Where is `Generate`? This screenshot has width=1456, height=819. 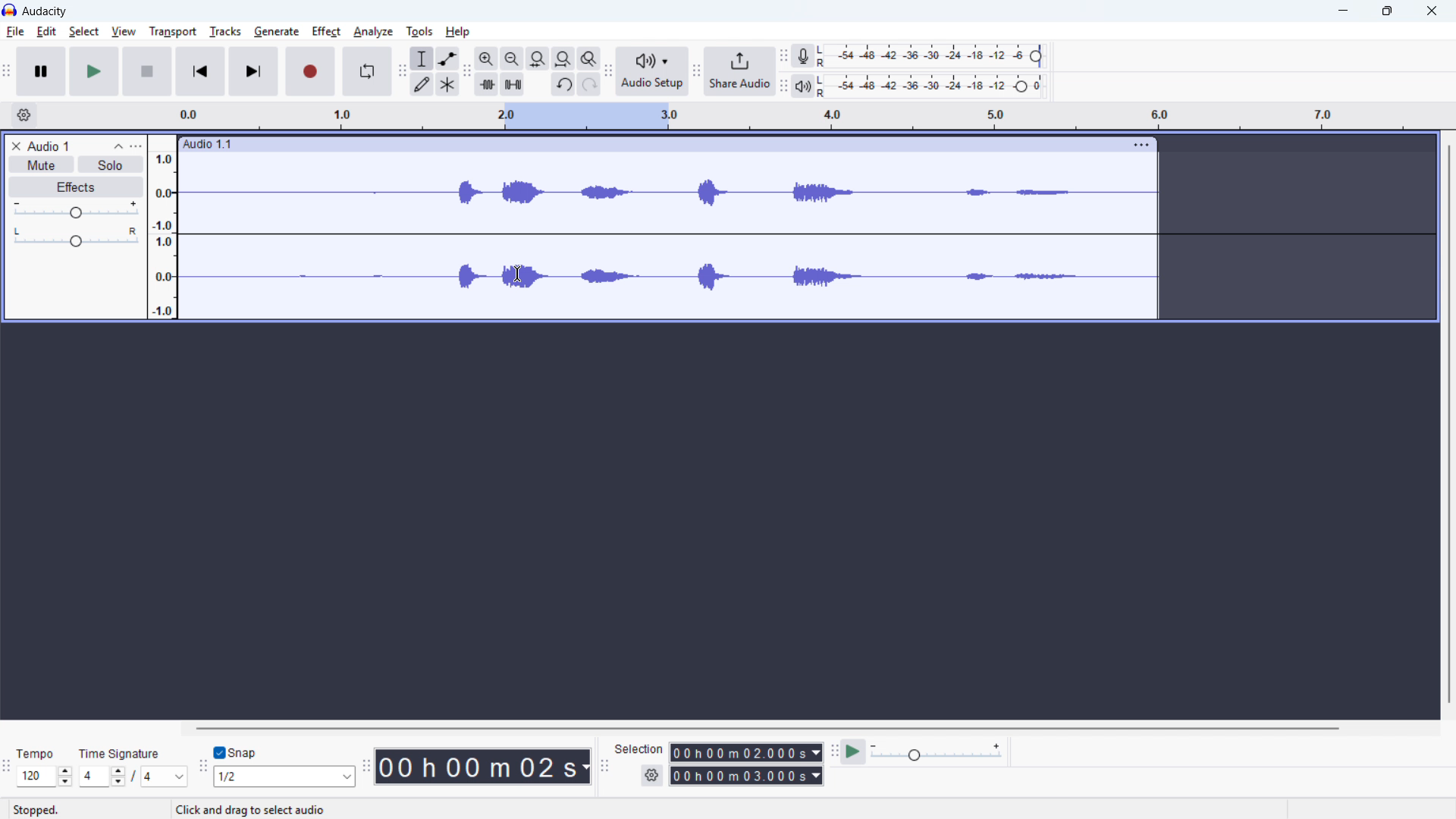 Generate is located at coordinates (275, 32).